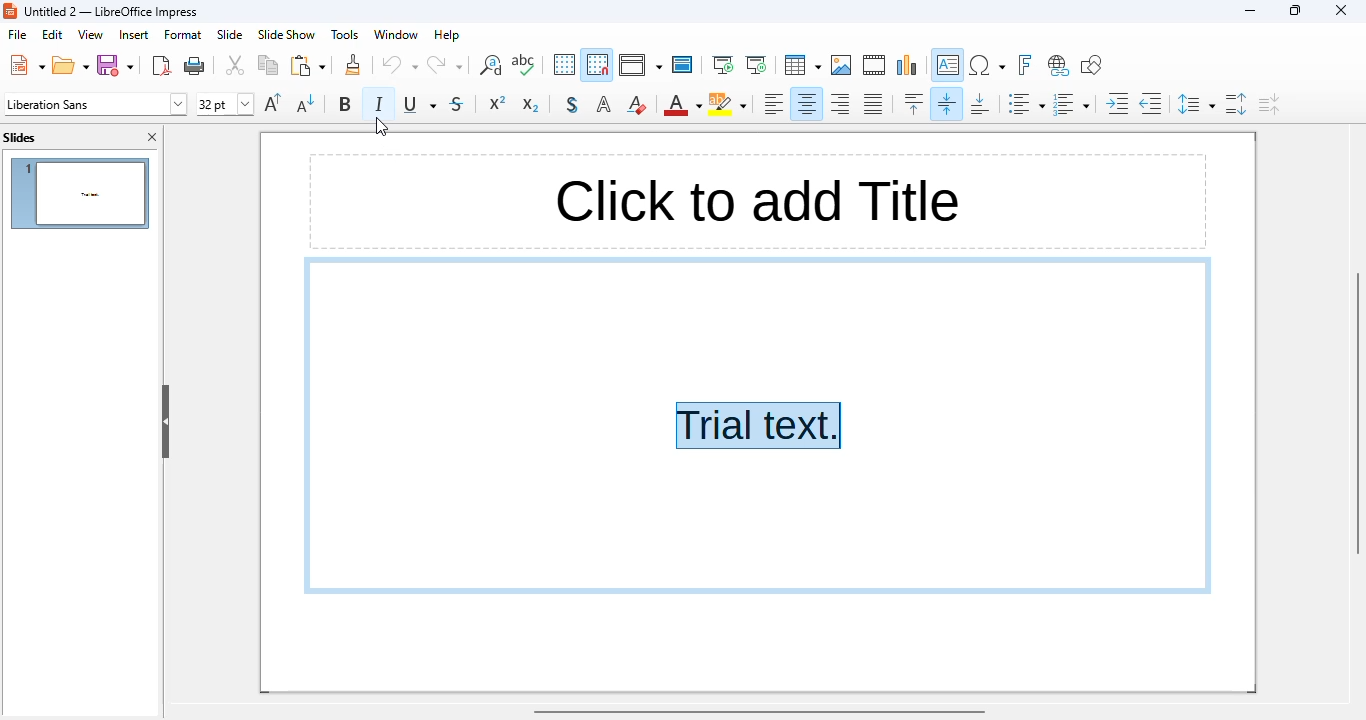 Image resolution: width=1366 pixels, height=720 pixels. Describe the element at coordinates (639, 65) in the screenshot. I see `display views` at that location.